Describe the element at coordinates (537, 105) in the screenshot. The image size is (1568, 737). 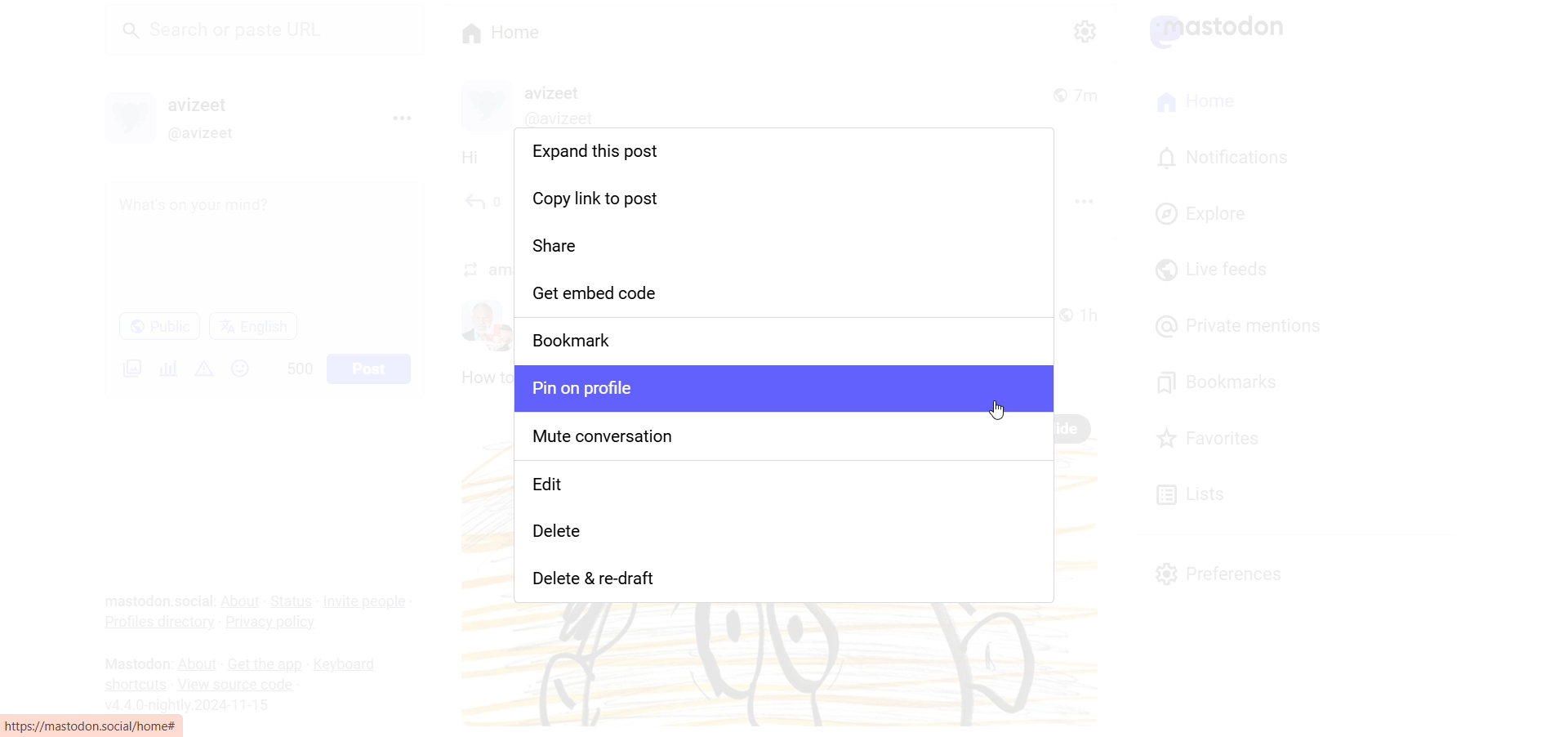
I see `User Details and Profile Picture` at that location.